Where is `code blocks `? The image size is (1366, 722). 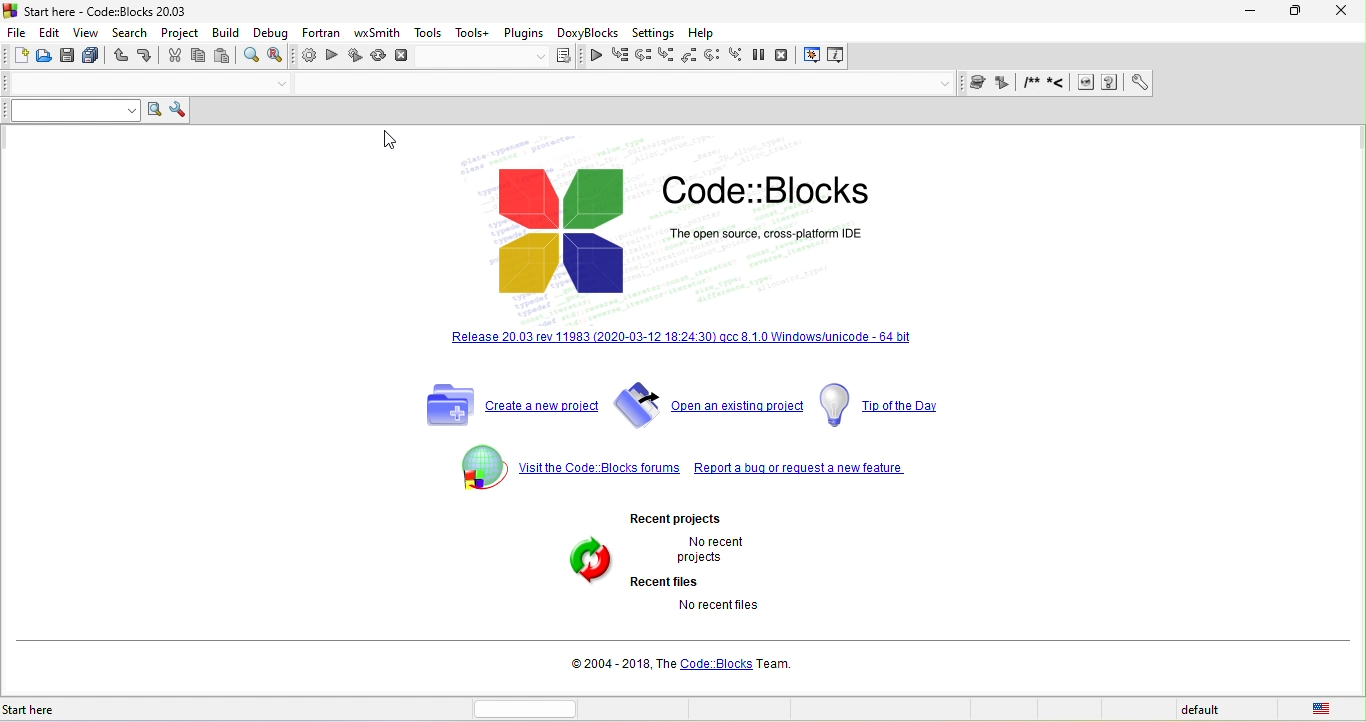 code blocks  is located at coordinates (781, 185).